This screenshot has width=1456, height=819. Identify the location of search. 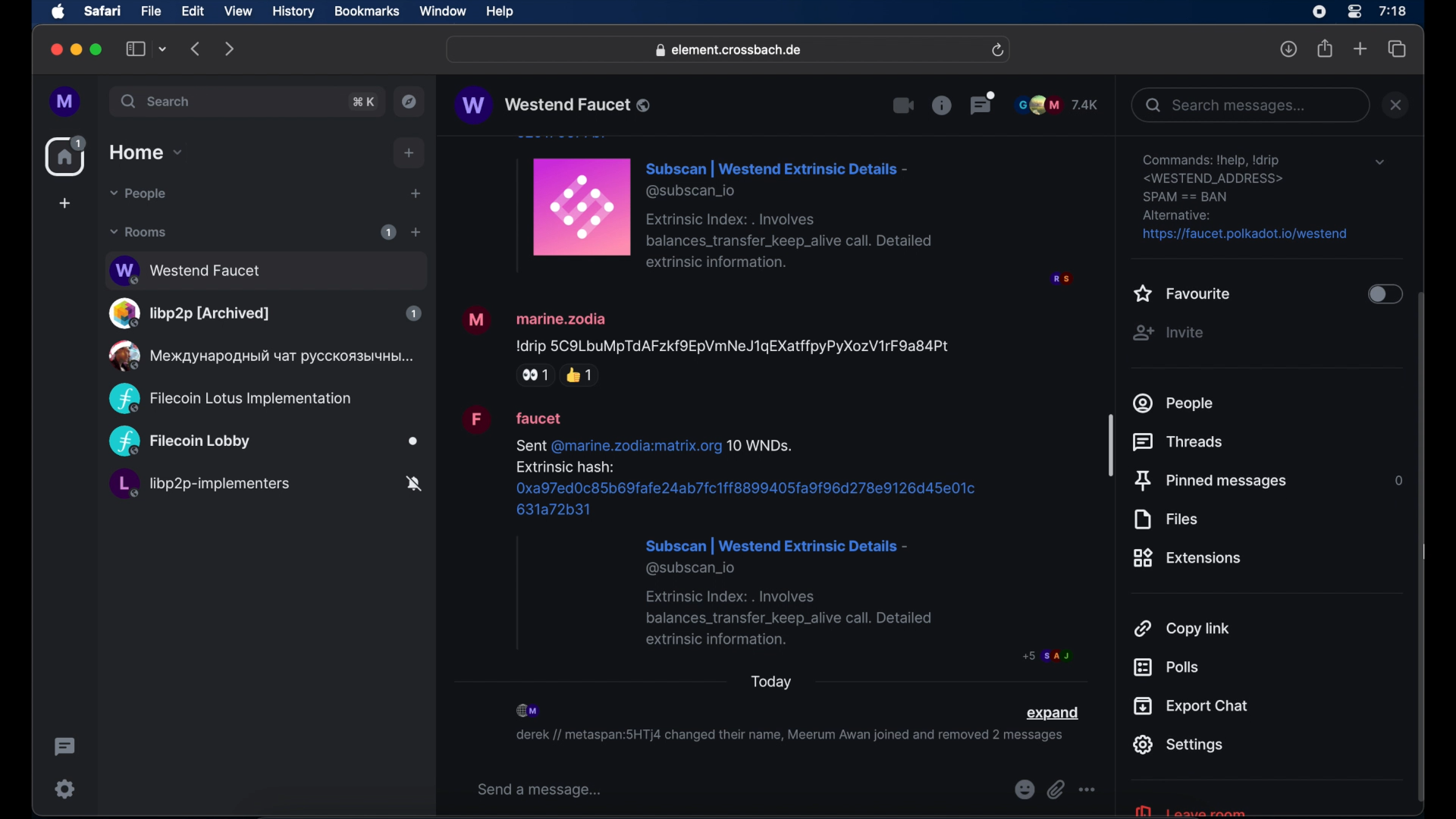
(157, 101).